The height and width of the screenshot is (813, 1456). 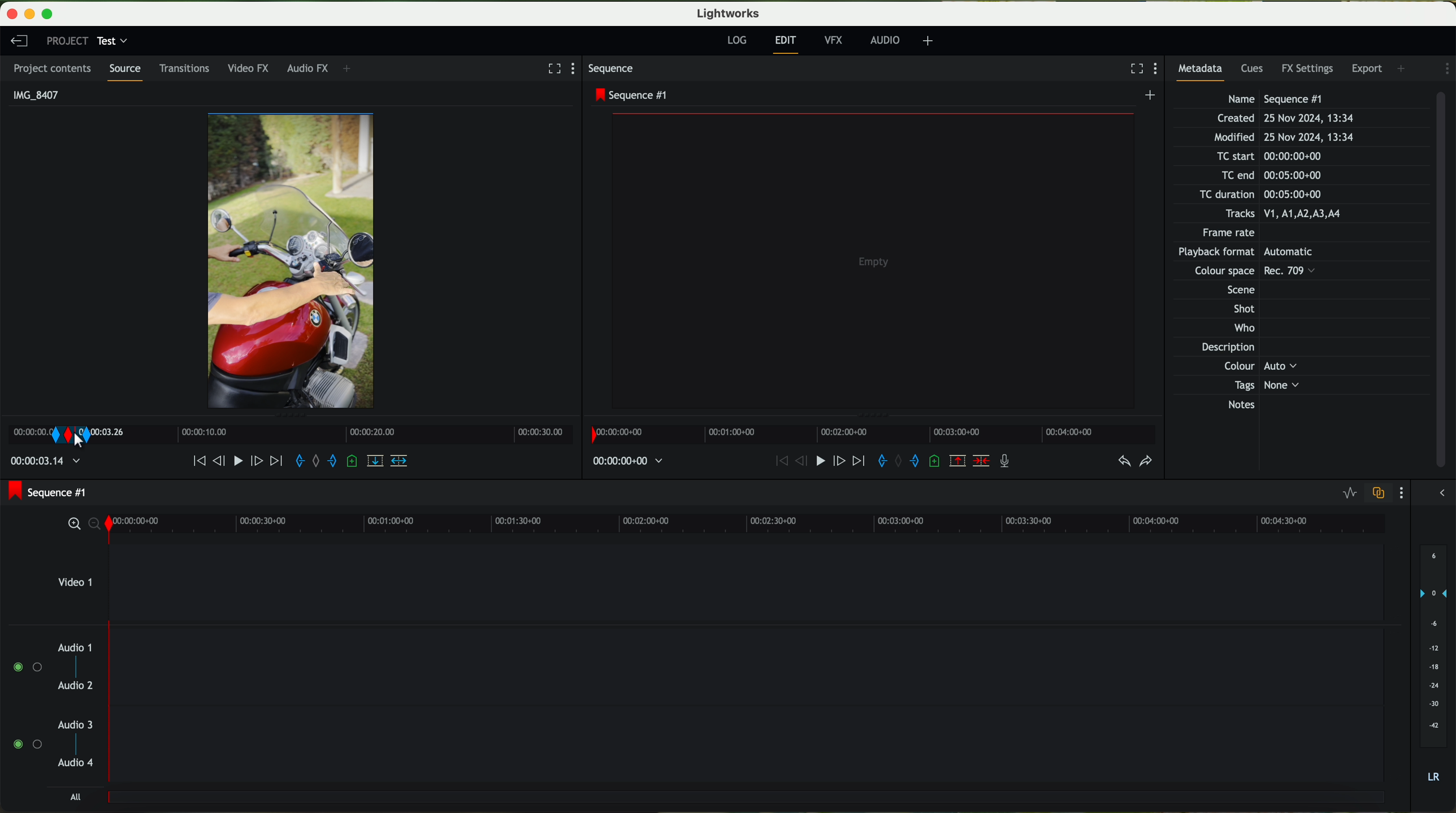 I want to click on fullscreen, so click(x=1132, y=68).